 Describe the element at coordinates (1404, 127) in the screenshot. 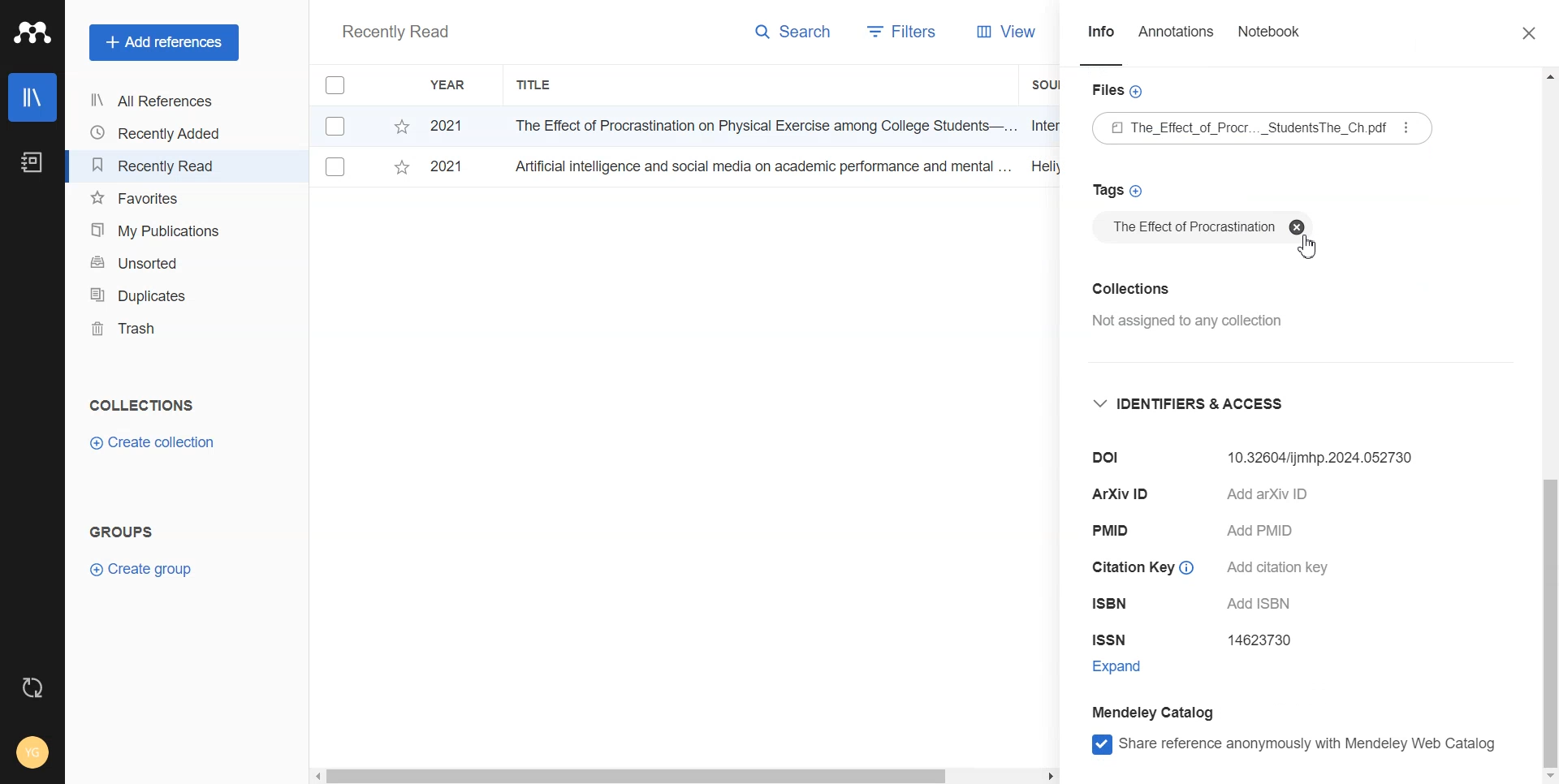

I see `More` at that location.